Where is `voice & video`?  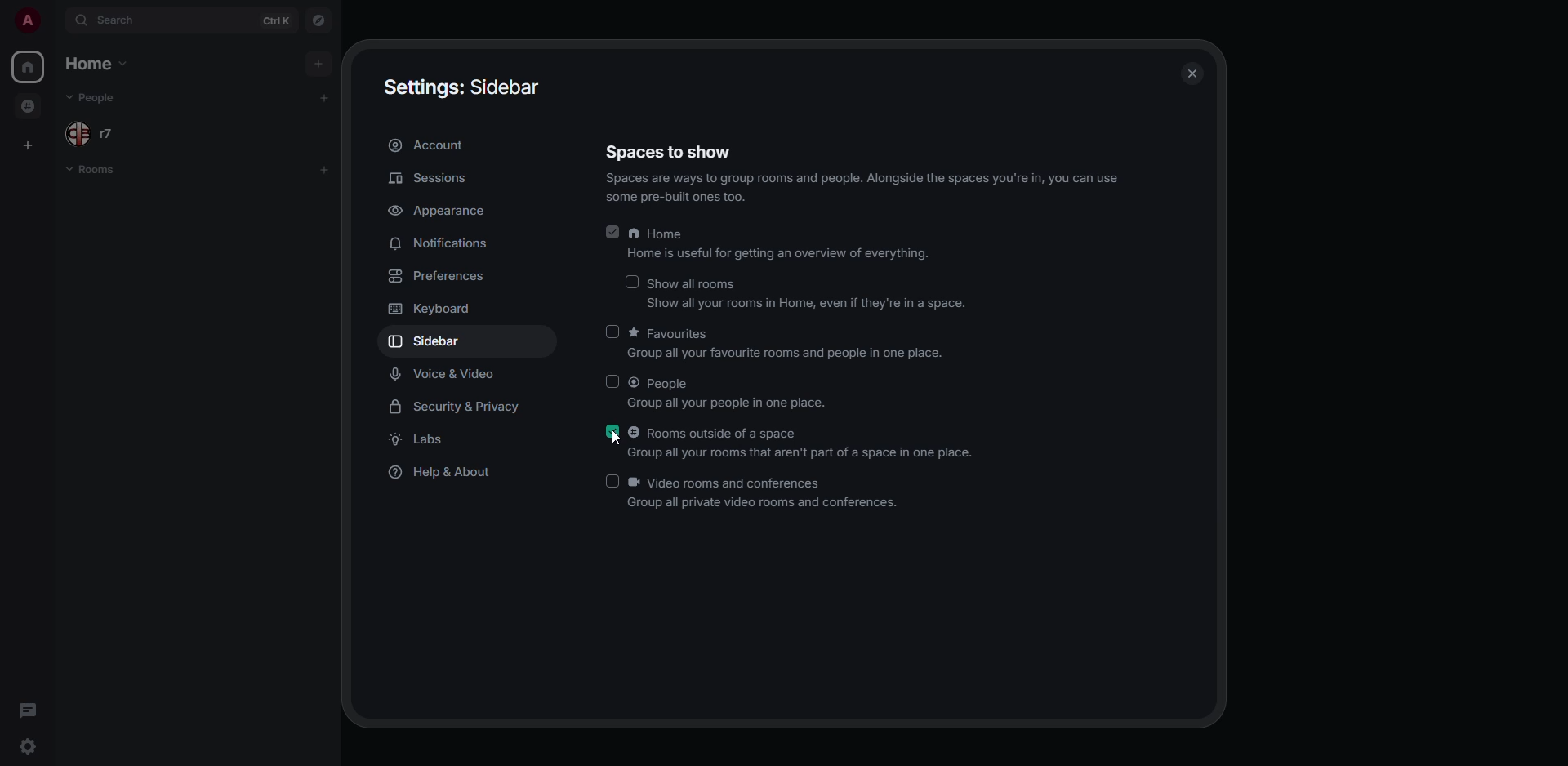 voice & video is located at coordinates (439, 376).